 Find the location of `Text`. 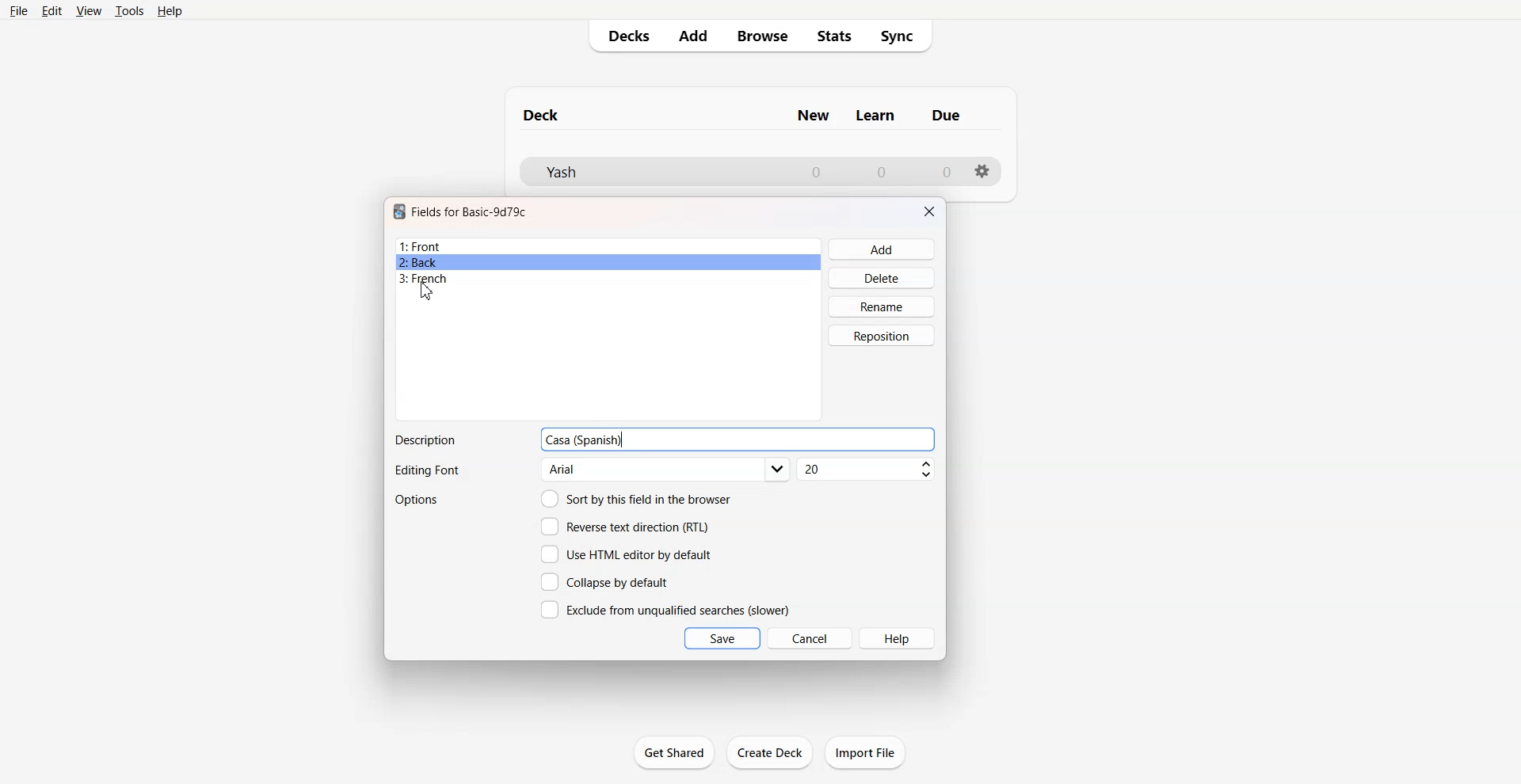

Text is located at coordinates (426, 471).